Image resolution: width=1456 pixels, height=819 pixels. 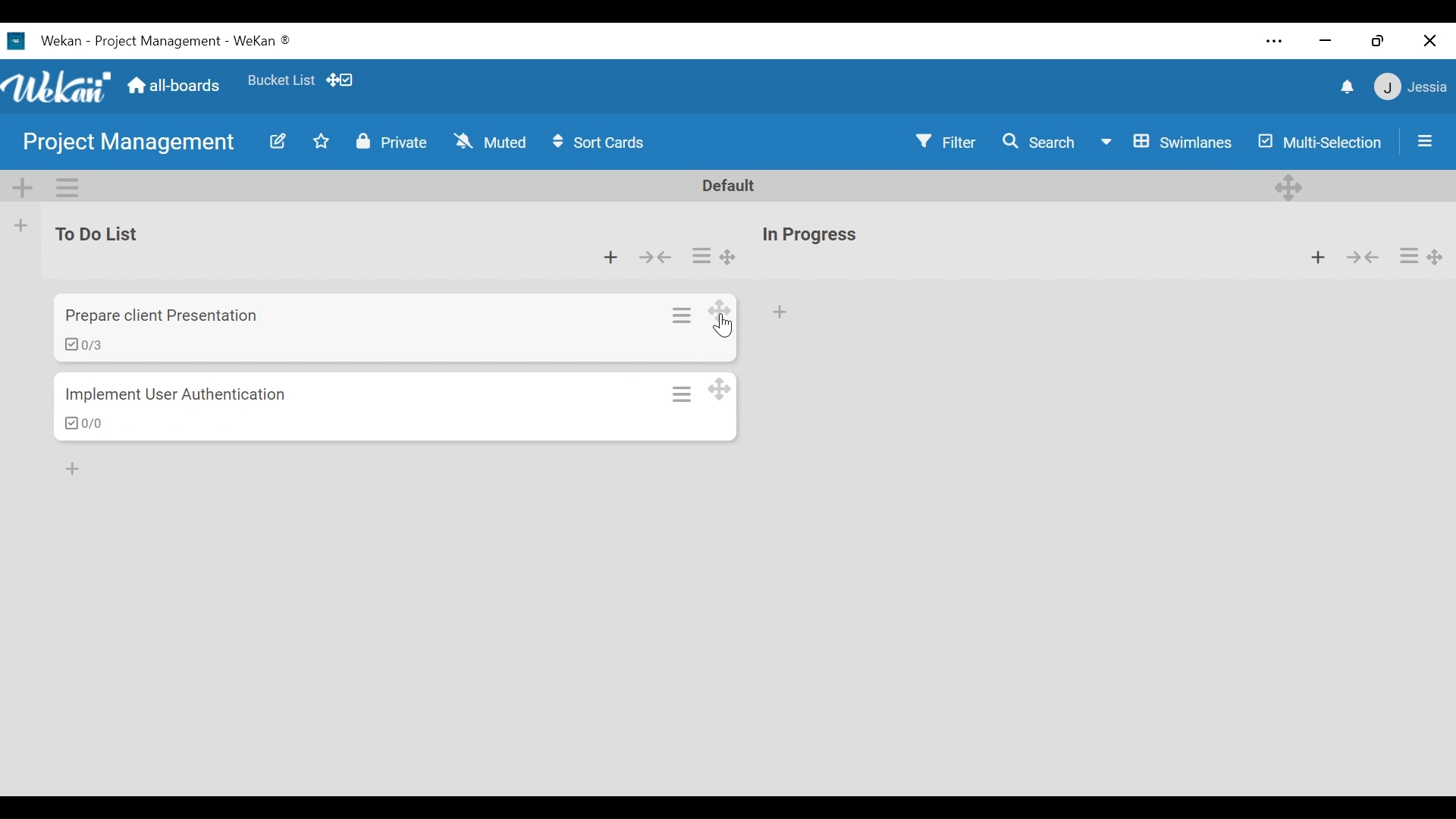 I want to click on member settings, so click(x=1410, y=86).